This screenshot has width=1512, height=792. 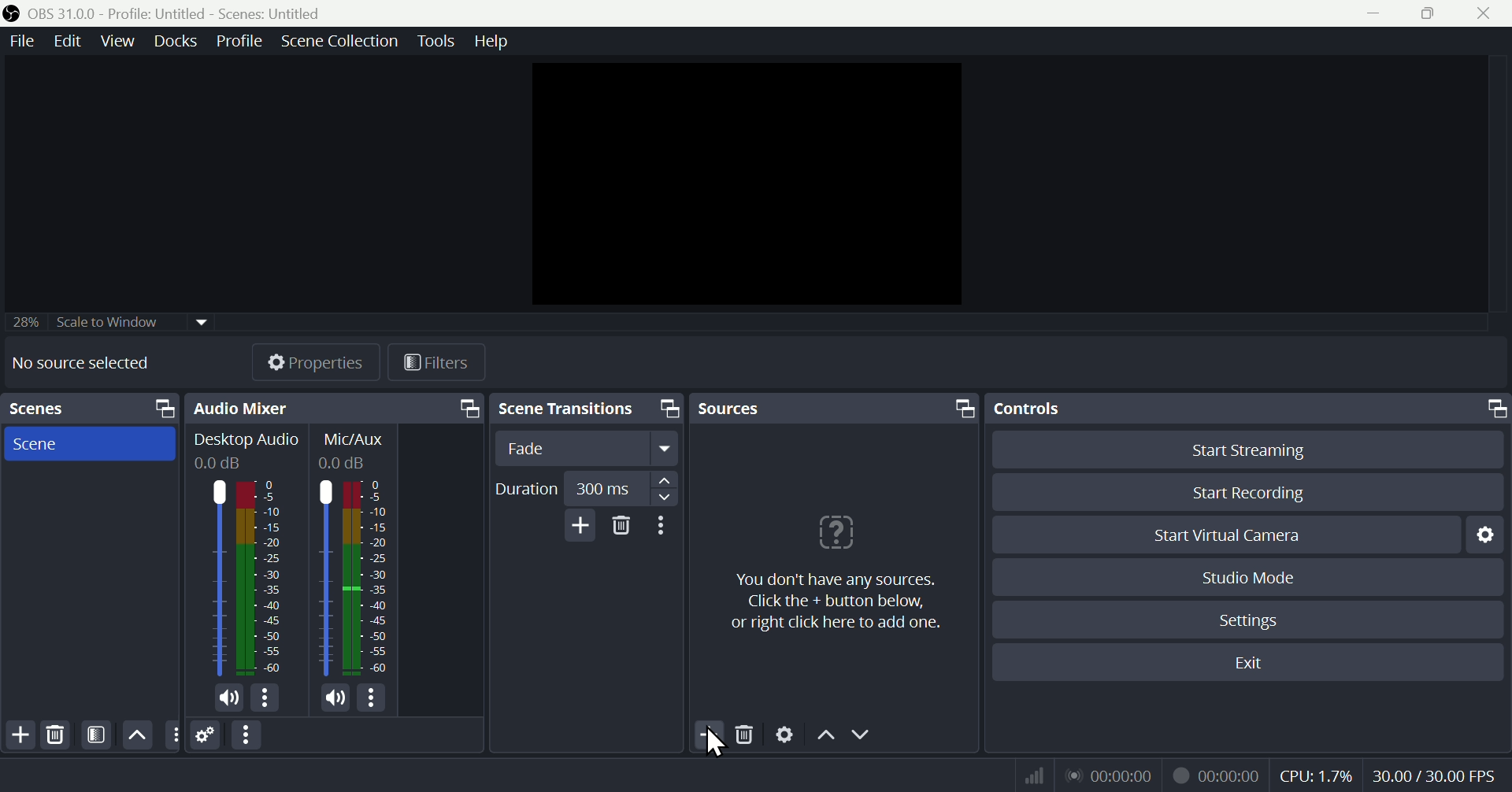 I want to click on Scene transitions, so click(x=584, y=410).